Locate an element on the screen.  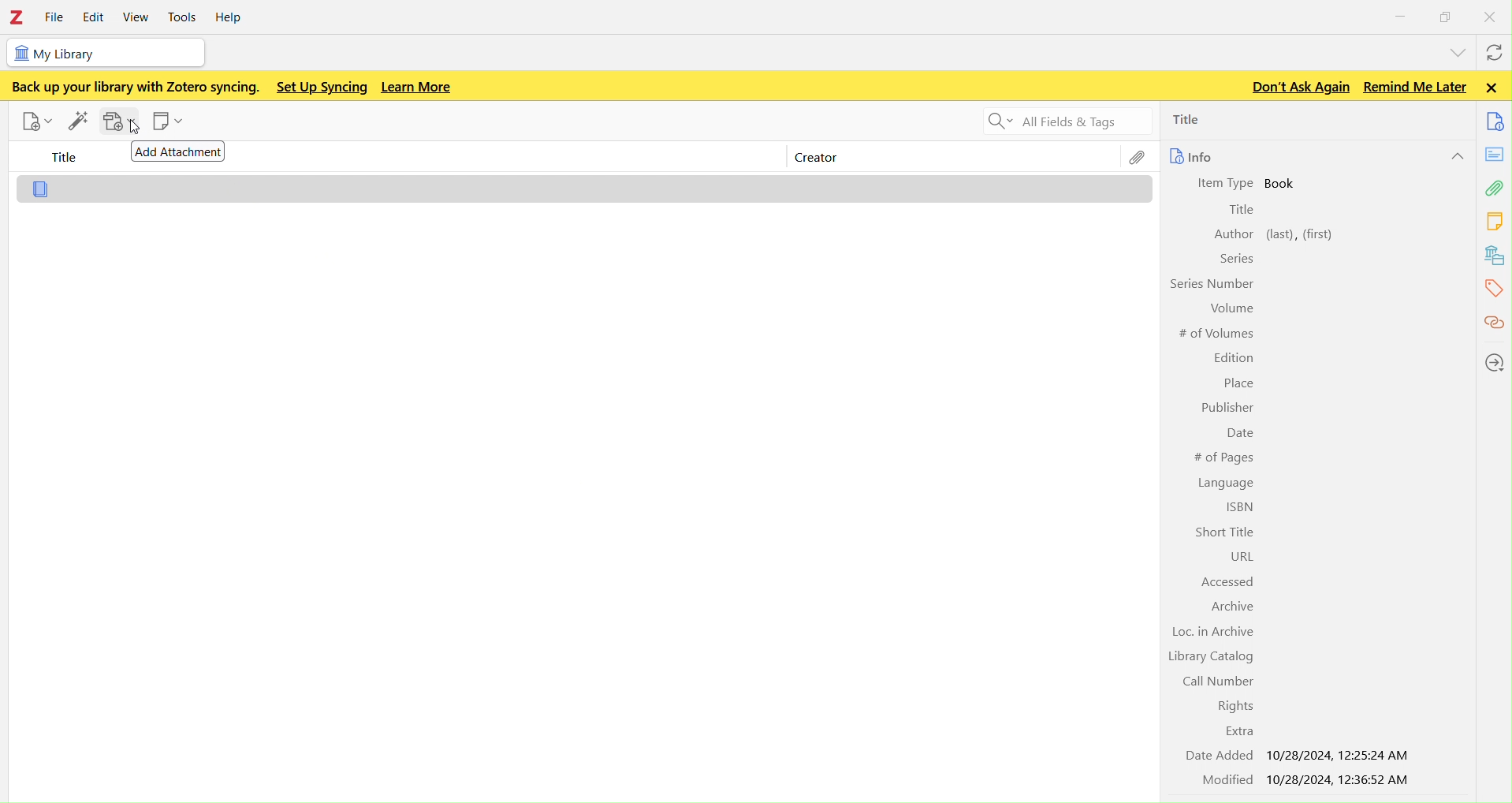
new note is located at coordinates (169, 119).